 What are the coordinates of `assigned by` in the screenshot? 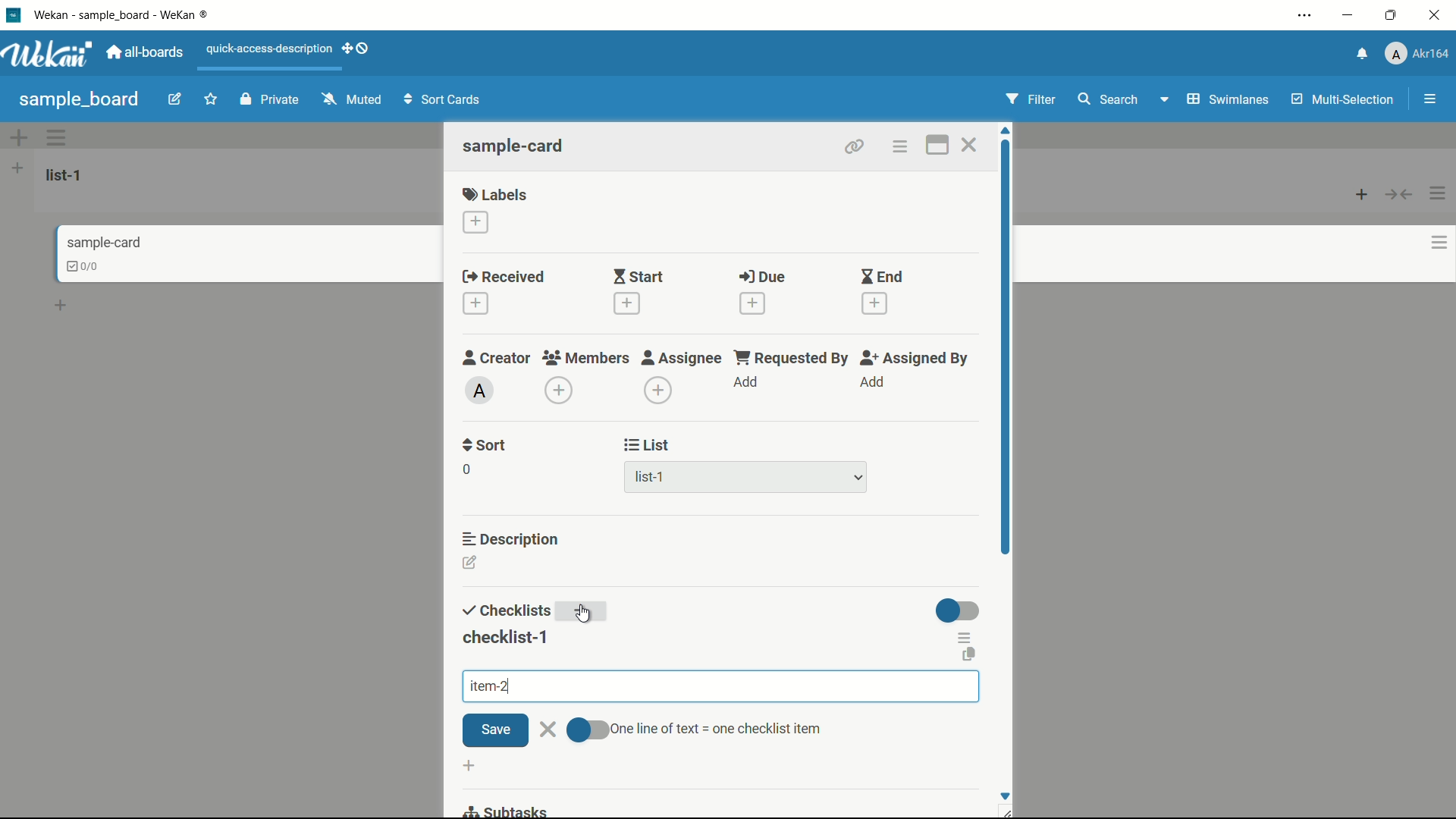 It's located at (916, 358).